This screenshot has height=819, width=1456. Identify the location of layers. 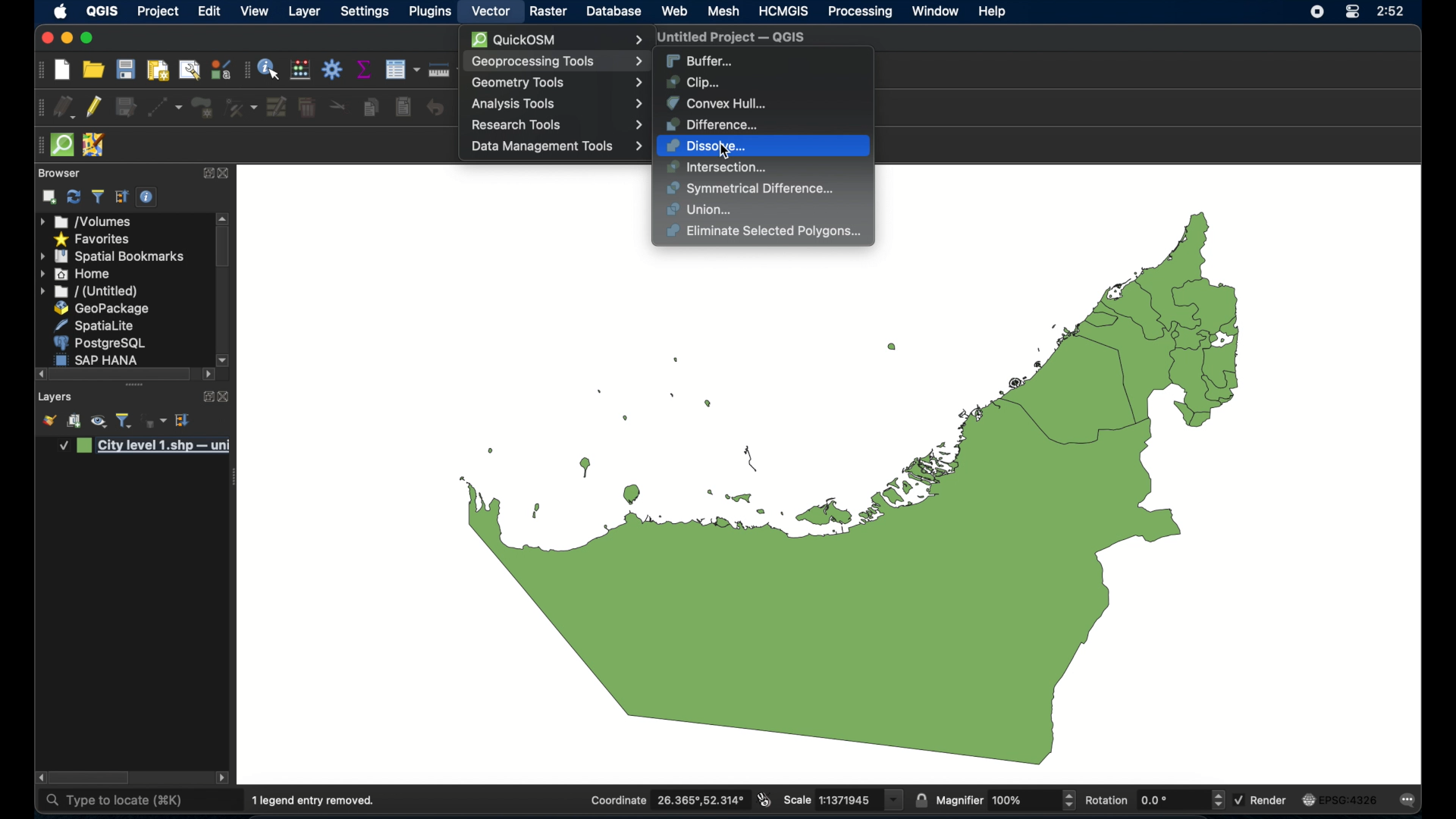
(55, 397).